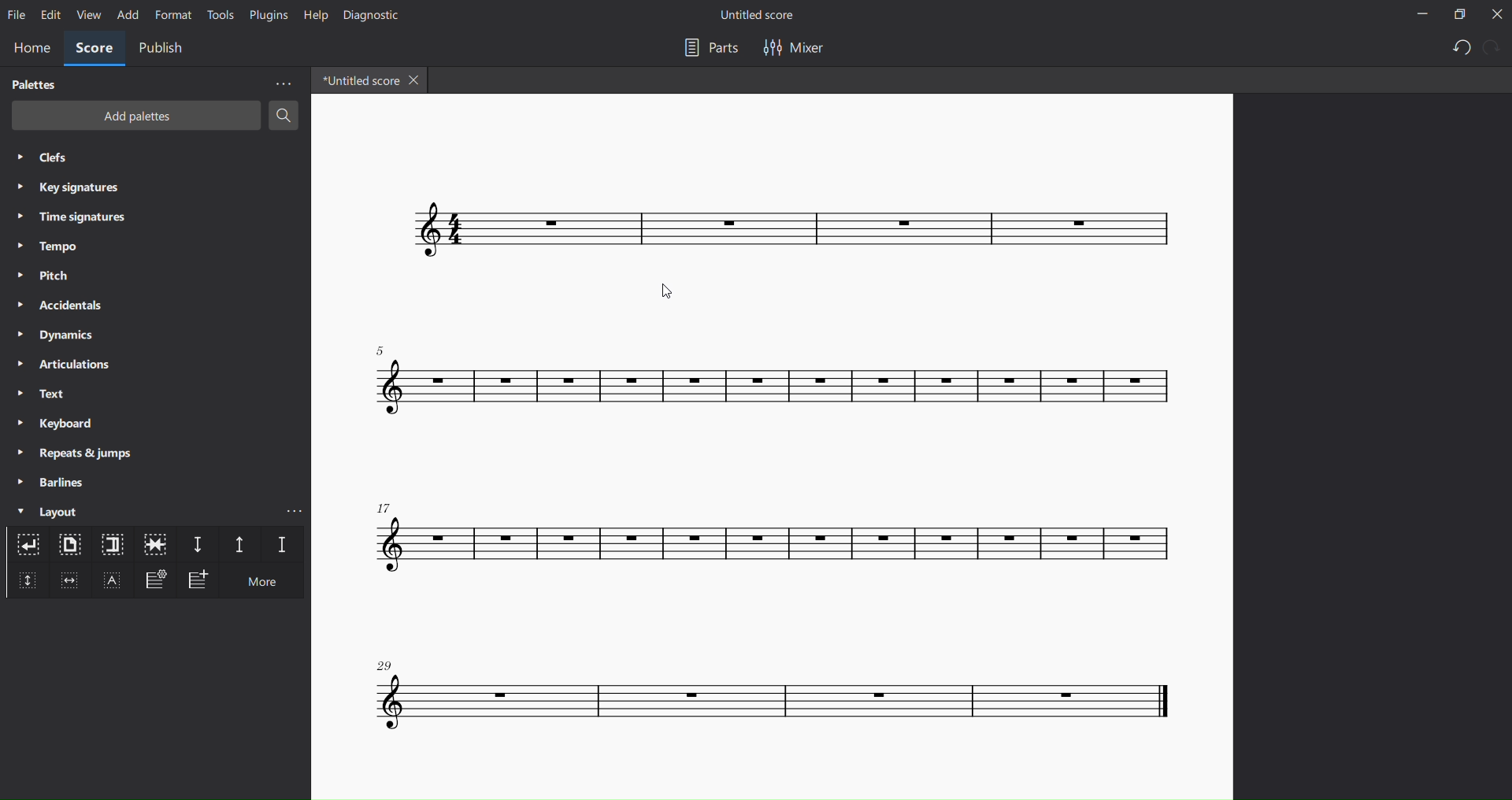  What do you see at coordinates (756, 701) in the screenshot?
I see `score with changed layout` at bounding box center [756, 701].